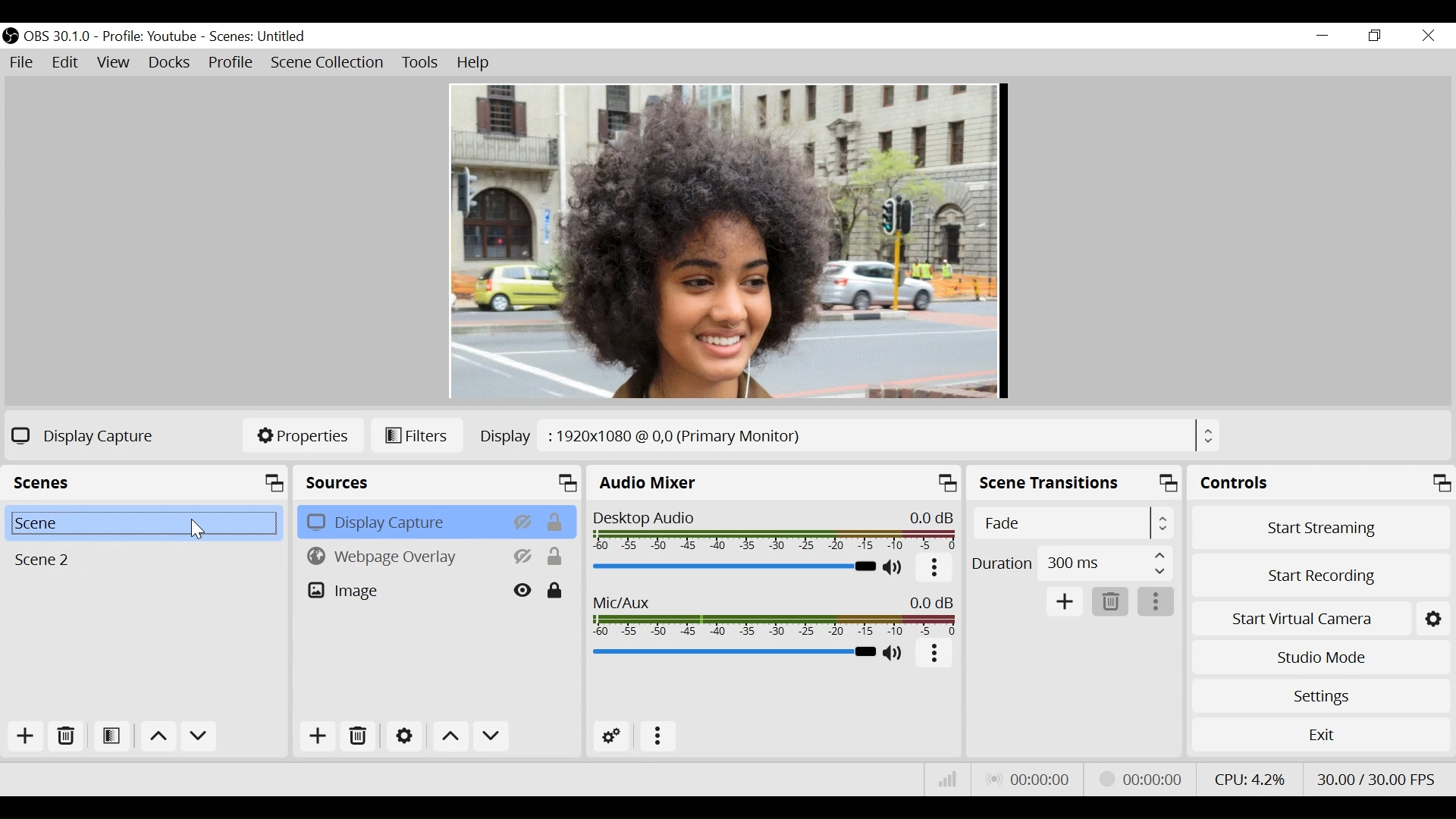  What do you see at coordinates (1156, 601) in the screenshot?
I see `more options` at bounding box center [1156, 601].